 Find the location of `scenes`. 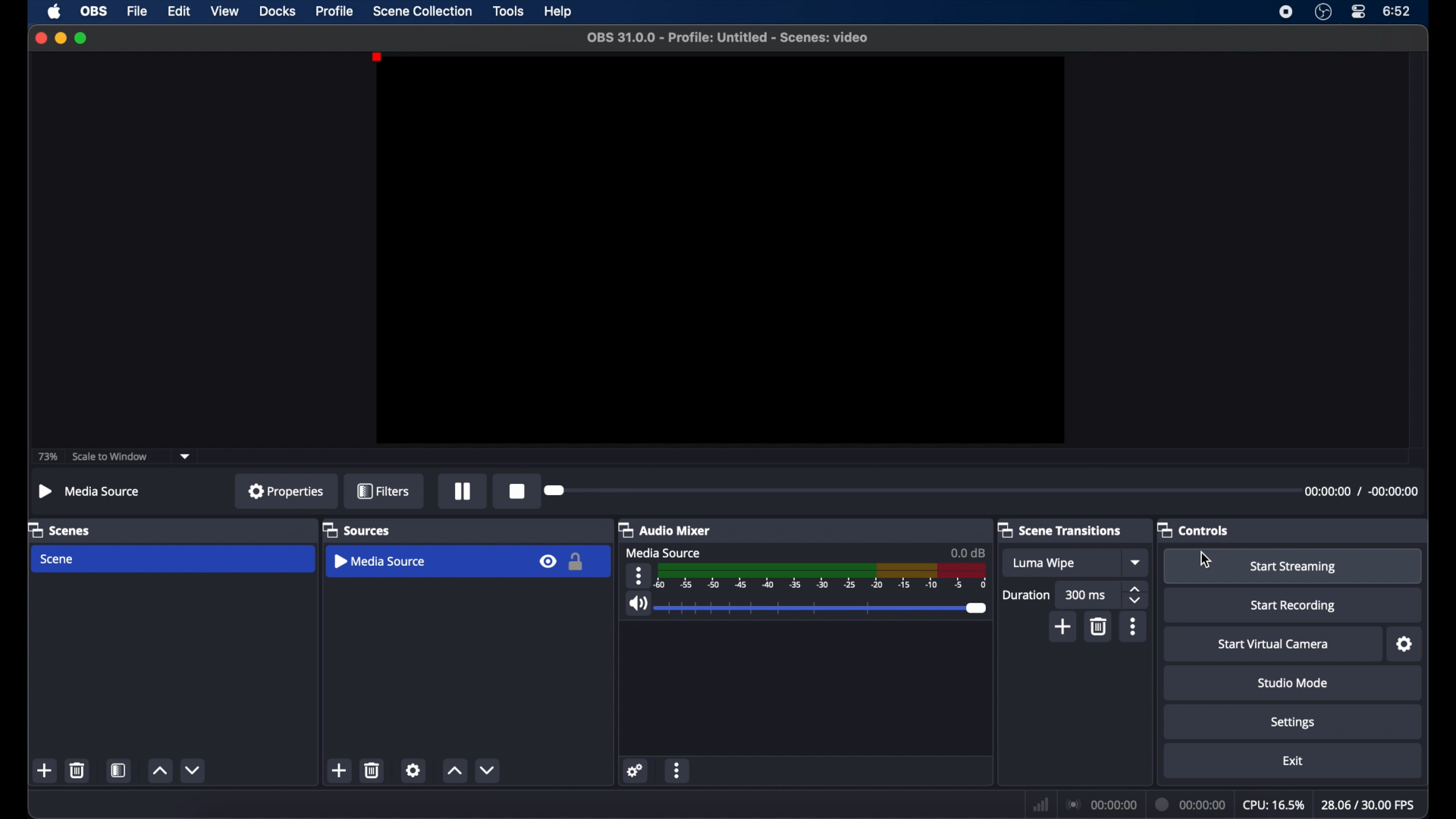

scenes is located at coordinates (60, 531).